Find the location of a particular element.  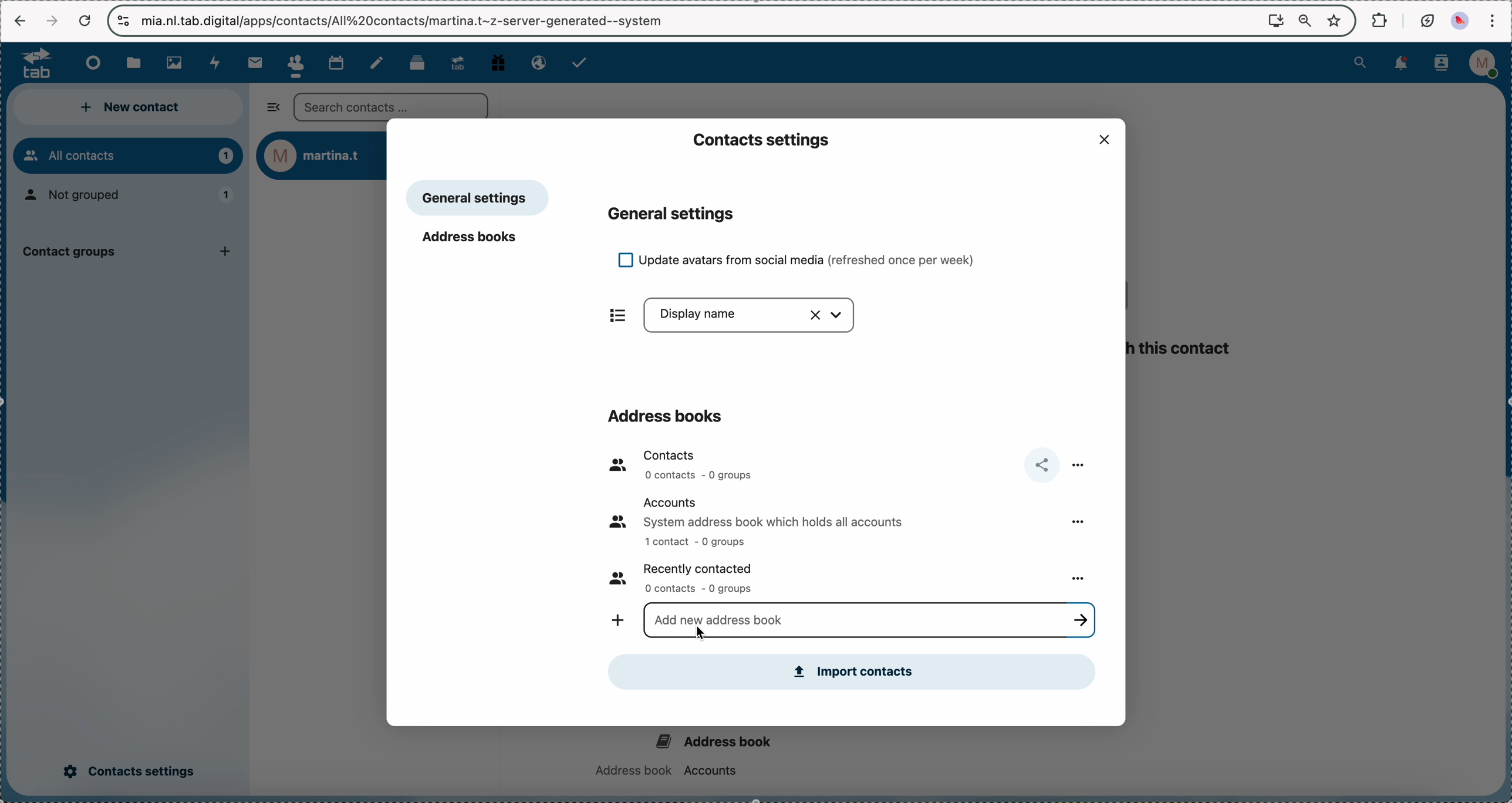

notifications is located at coordinates (1404, 63).